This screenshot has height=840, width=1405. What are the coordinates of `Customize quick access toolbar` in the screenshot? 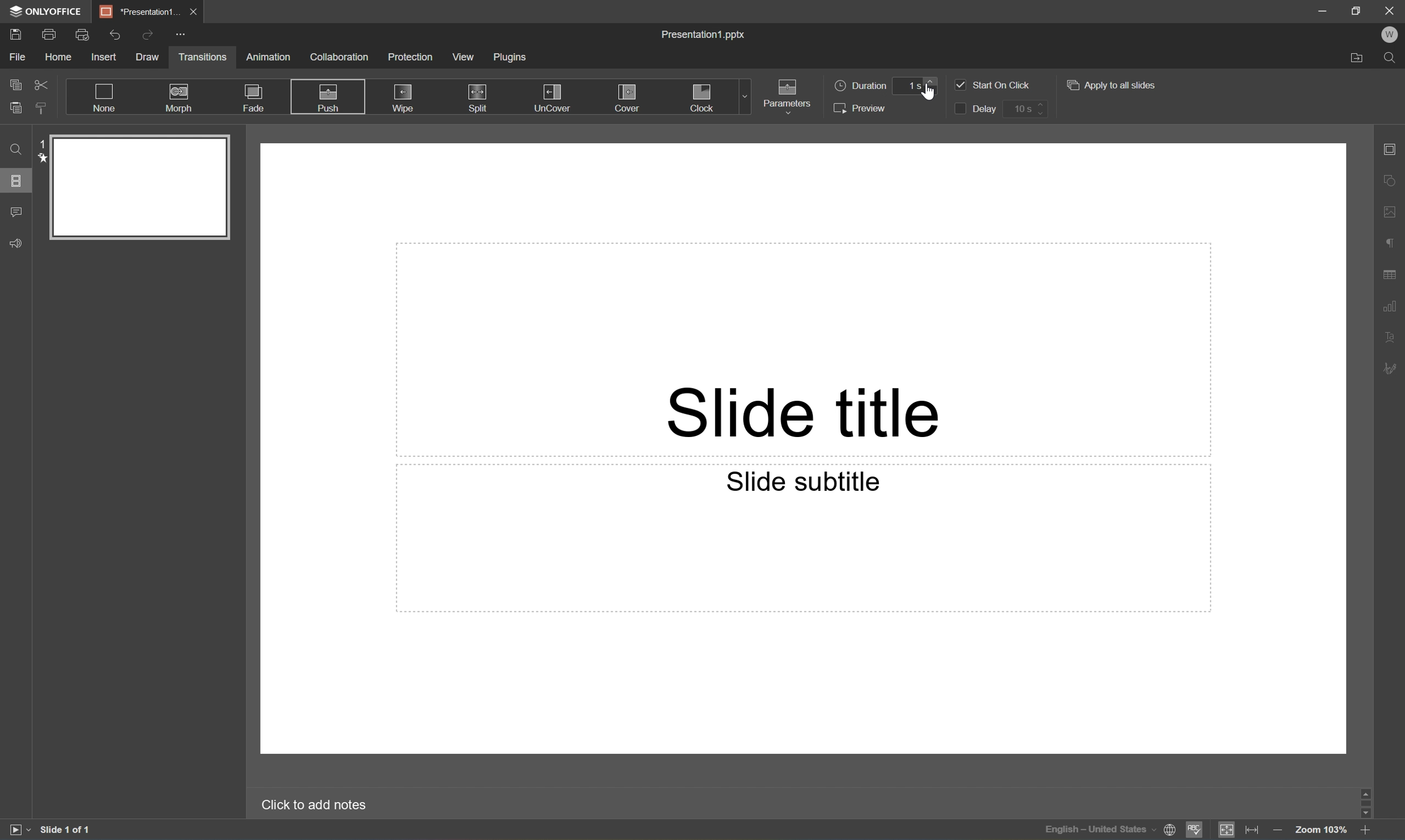 It's located at (183, 36).